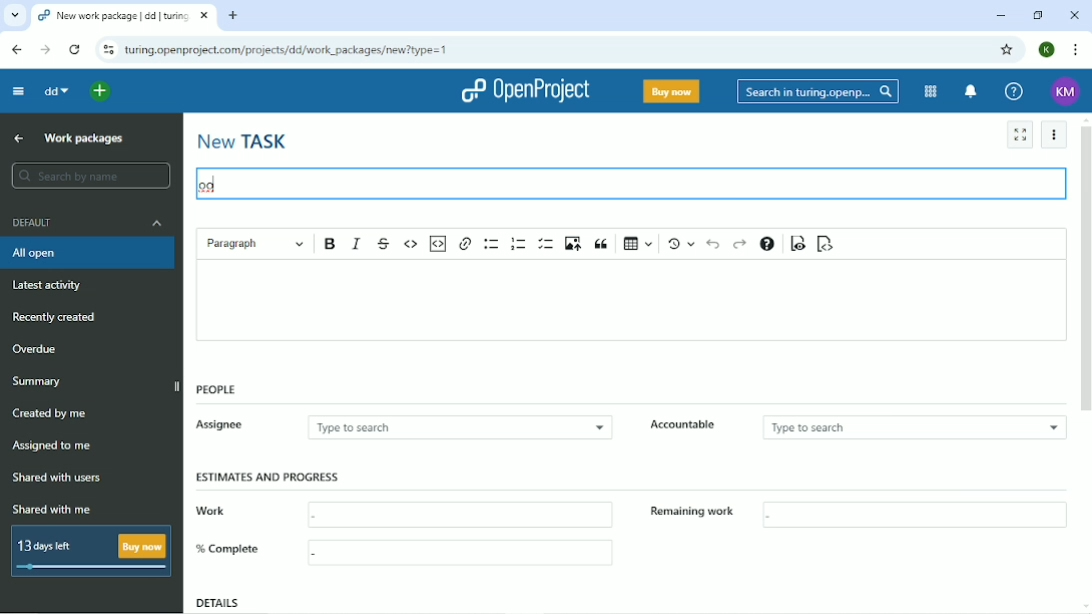 This screenshot has width=1092, height=614. What do you see at coordinates (45, 284) in the screenshot?
I see `Latest activity` at bounding box center [45, 284].